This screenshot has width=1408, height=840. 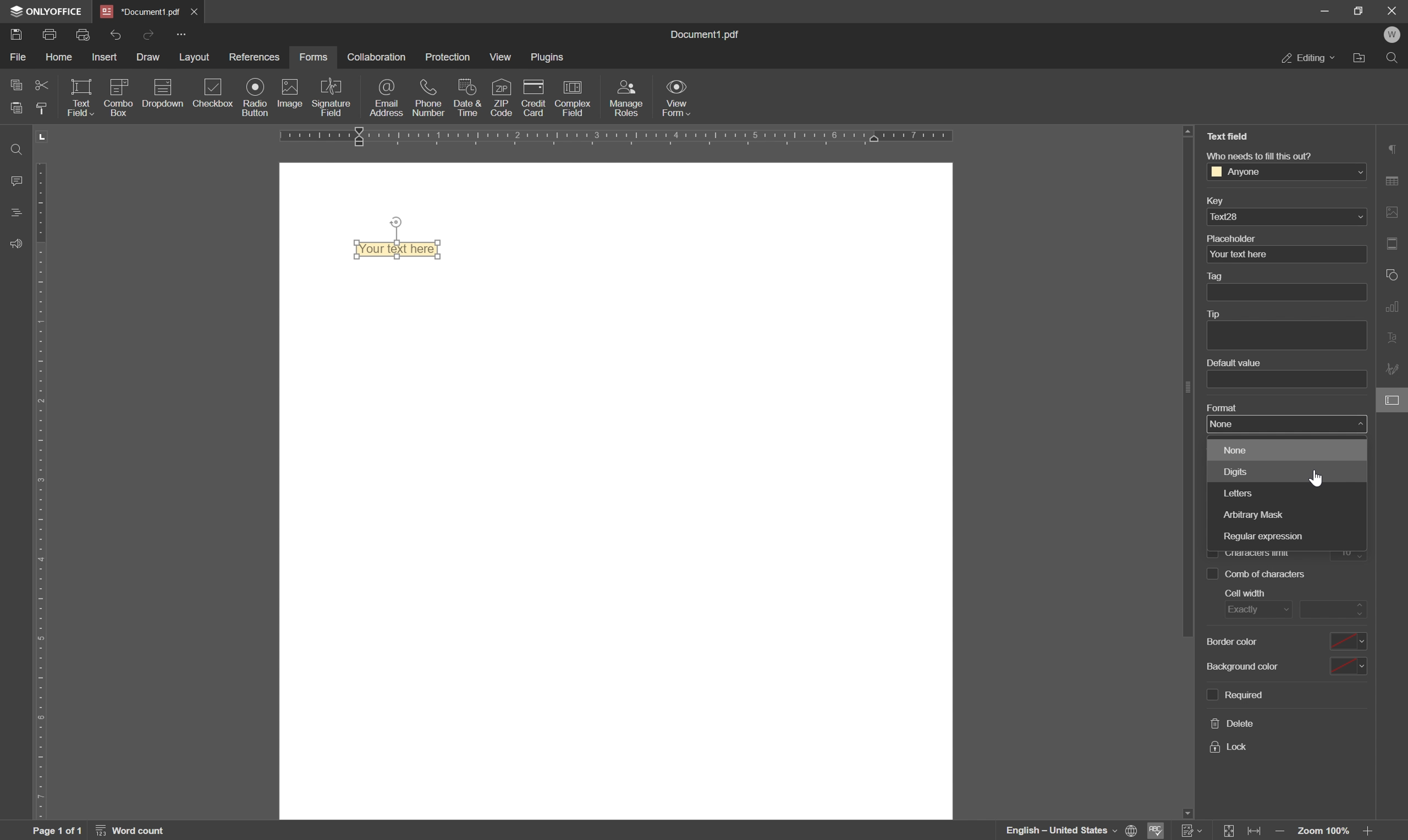 What do you see at coordinates (1393, 274) in the screenshot?
I see `shape settings` at bounding box center [1393, 274].